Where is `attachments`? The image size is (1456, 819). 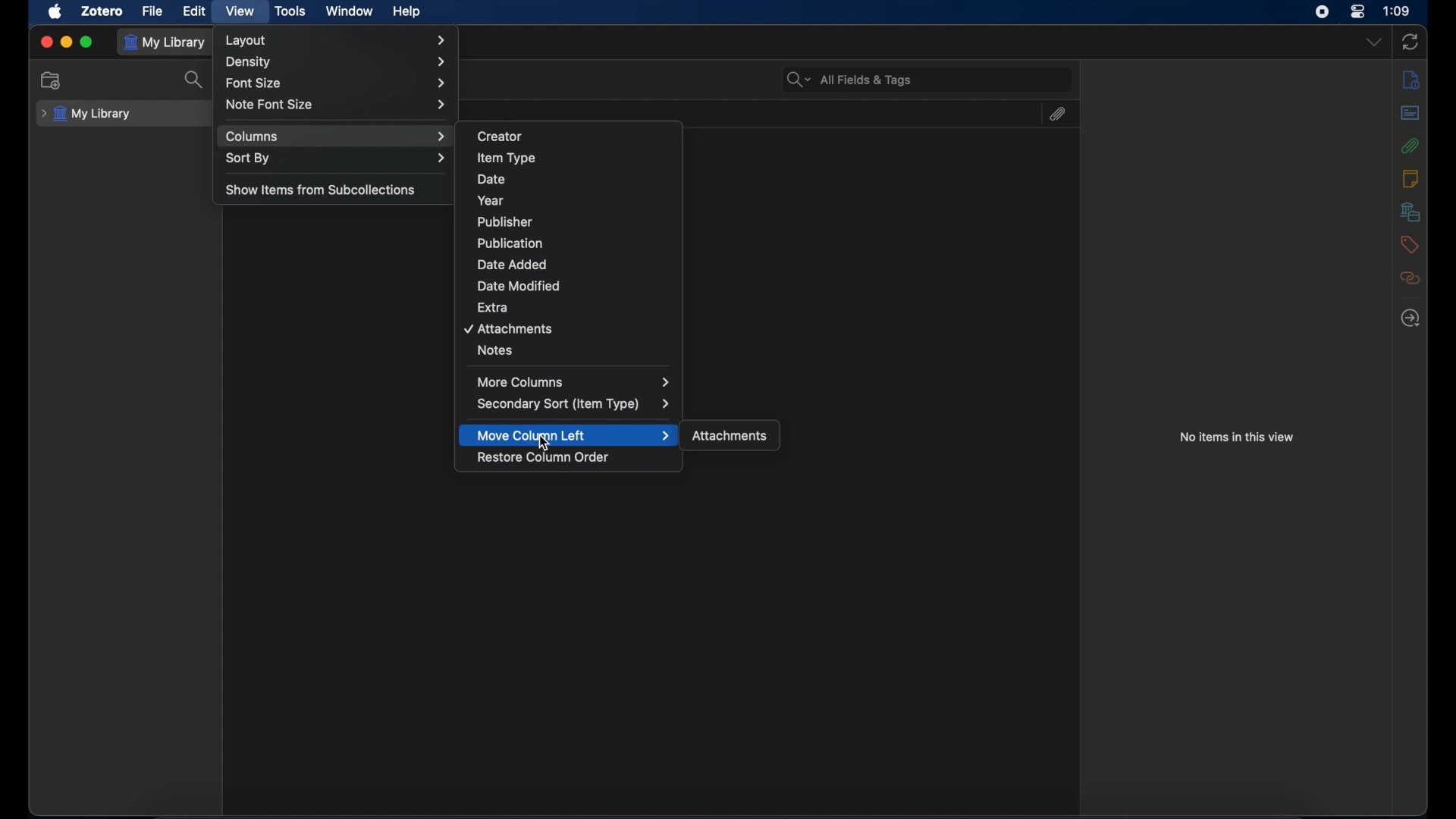
attachments is located at coordinates (731, 437).